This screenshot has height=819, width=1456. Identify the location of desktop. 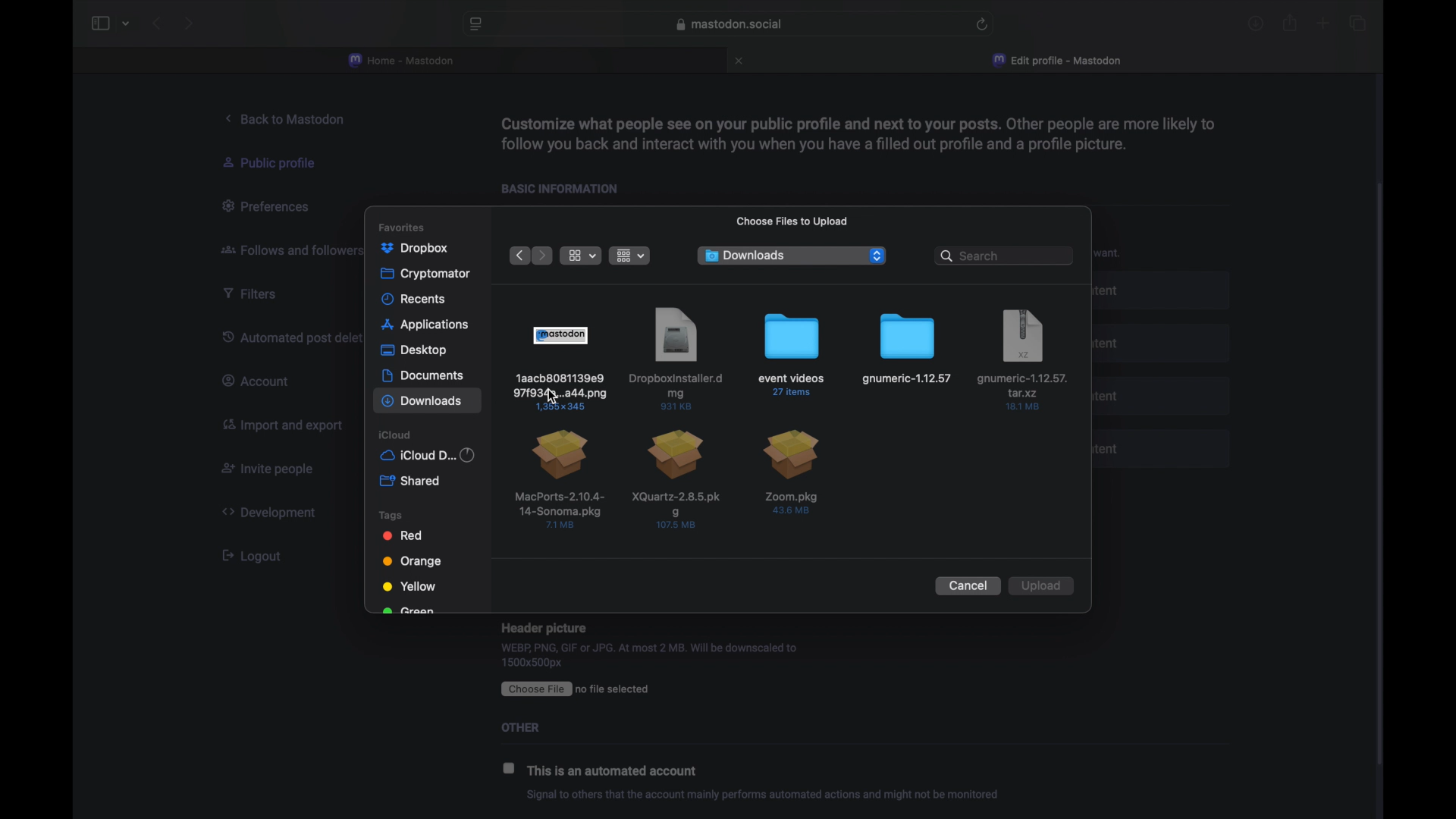
(414, 350).